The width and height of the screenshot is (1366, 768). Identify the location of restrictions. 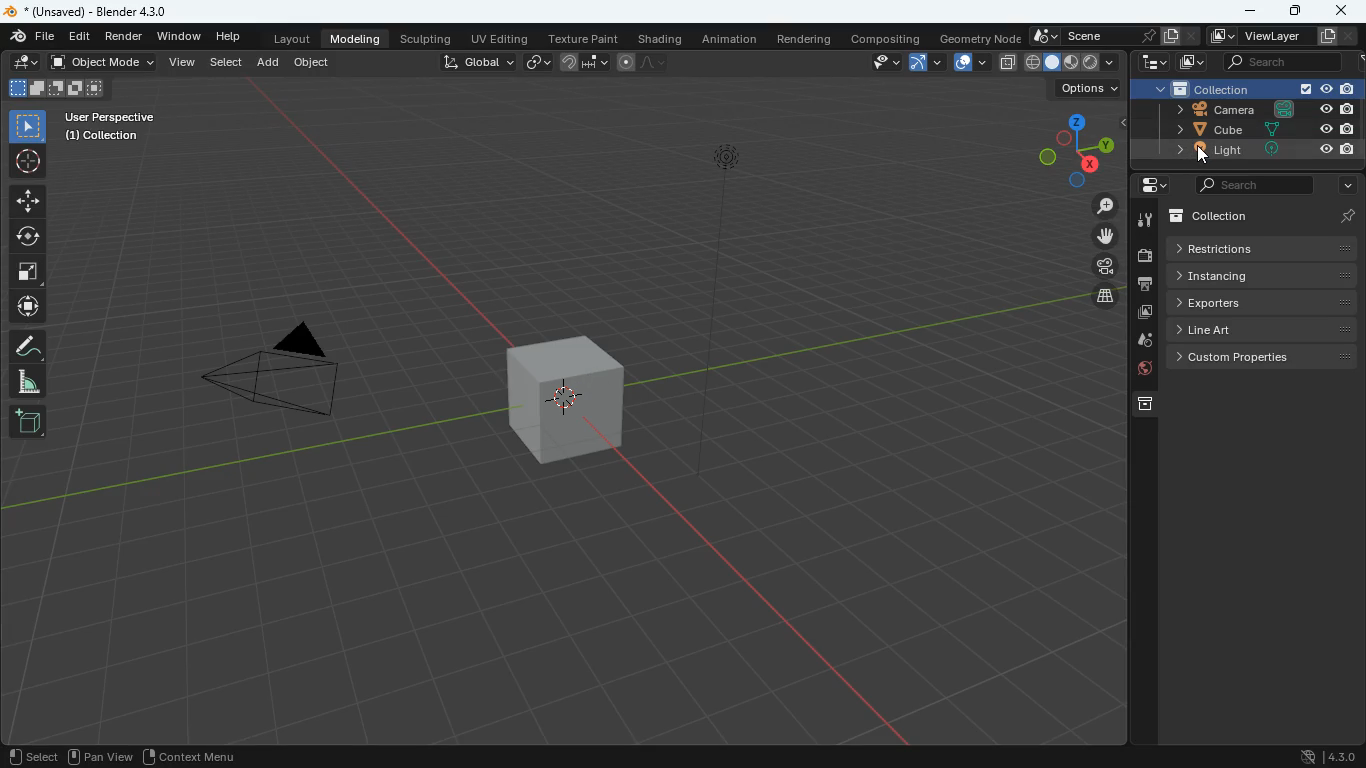
(1263, 247).